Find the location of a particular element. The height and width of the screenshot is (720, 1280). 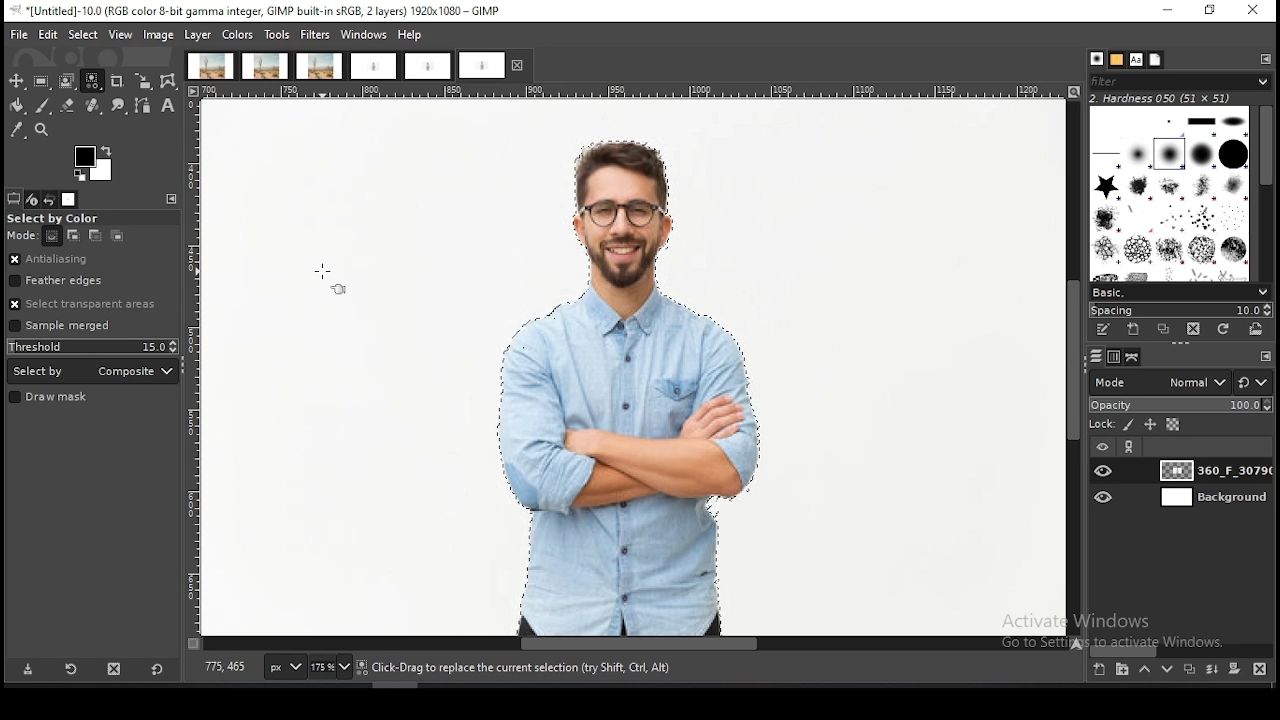

delete brush is located at coordinates (1194, 330).